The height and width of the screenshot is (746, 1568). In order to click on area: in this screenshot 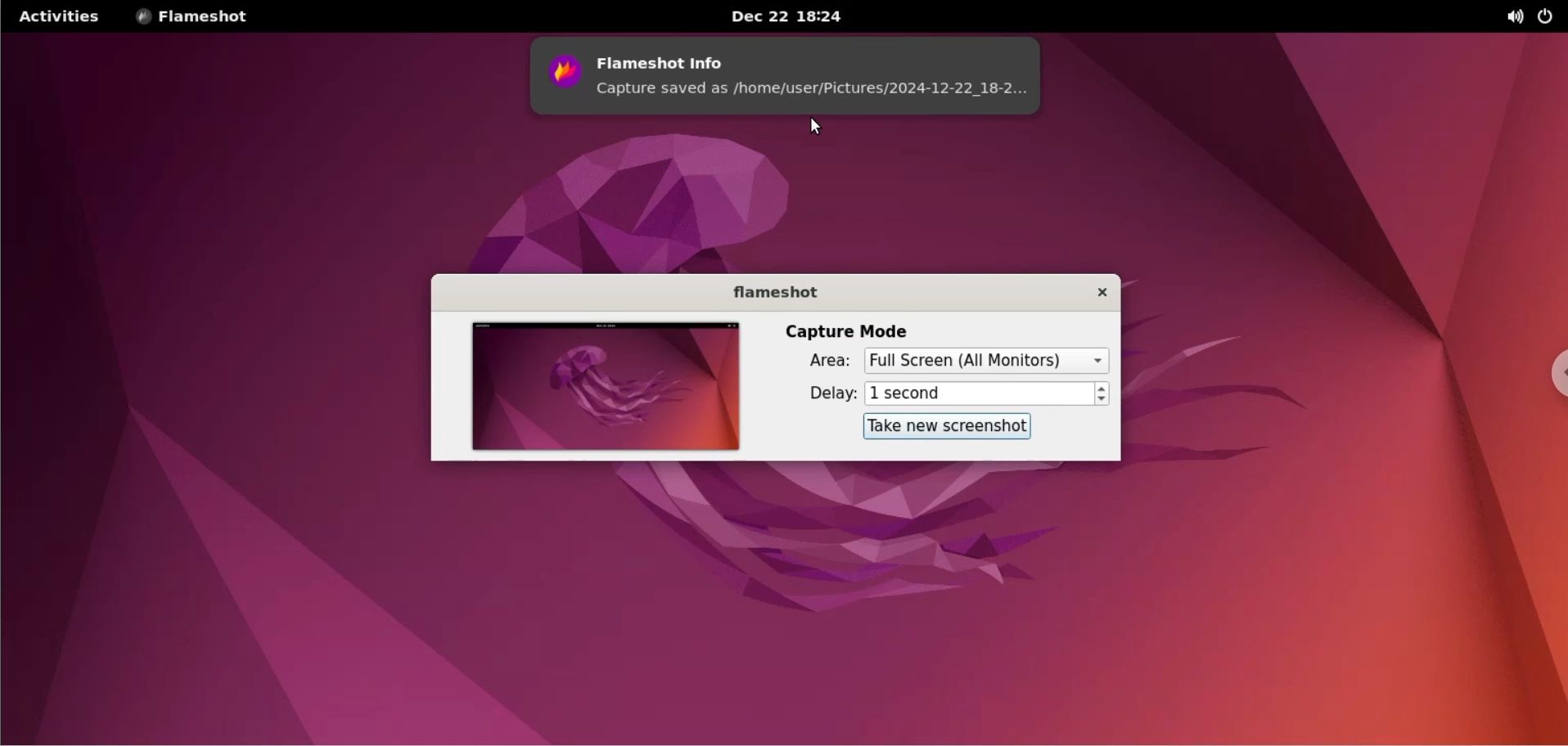, I will do `click(824, 361)`.